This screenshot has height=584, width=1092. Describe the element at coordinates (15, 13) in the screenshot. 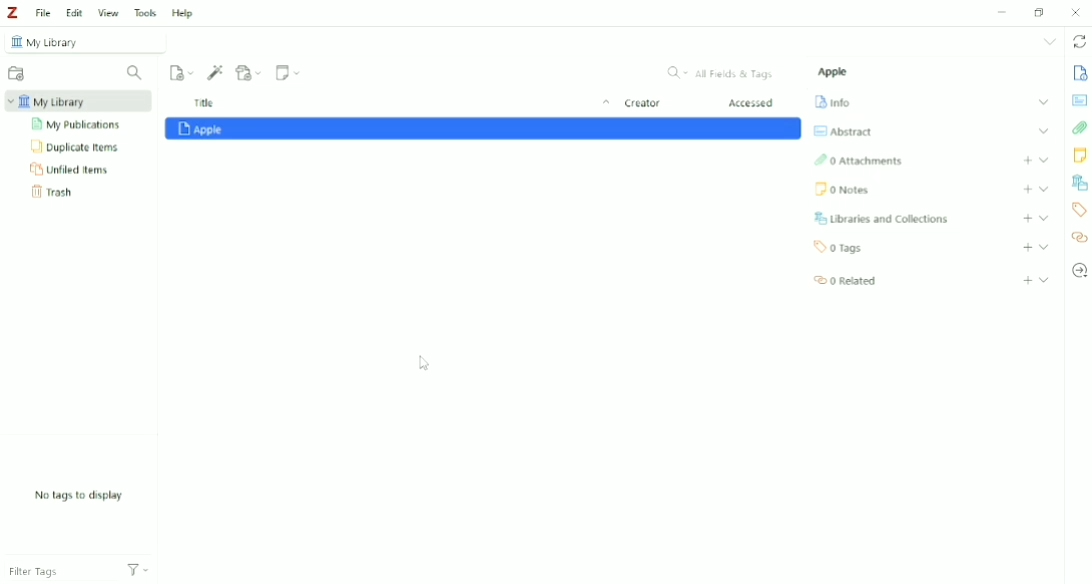

I see `Logo` at that location.